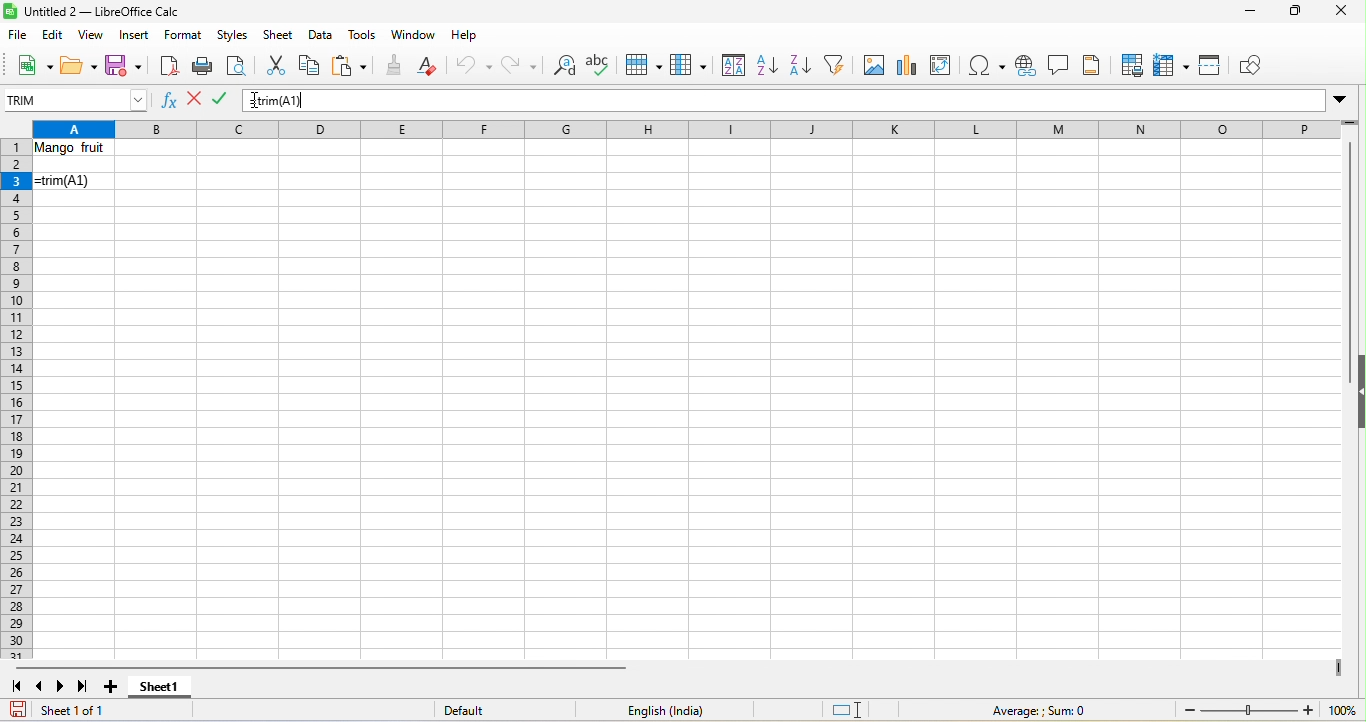 Image resolution: width=1366 pixels, height=722 pixels. What do you see at coordinates (465, 39) in the screenshot?
I see `help` at bounding box center [465, 39].